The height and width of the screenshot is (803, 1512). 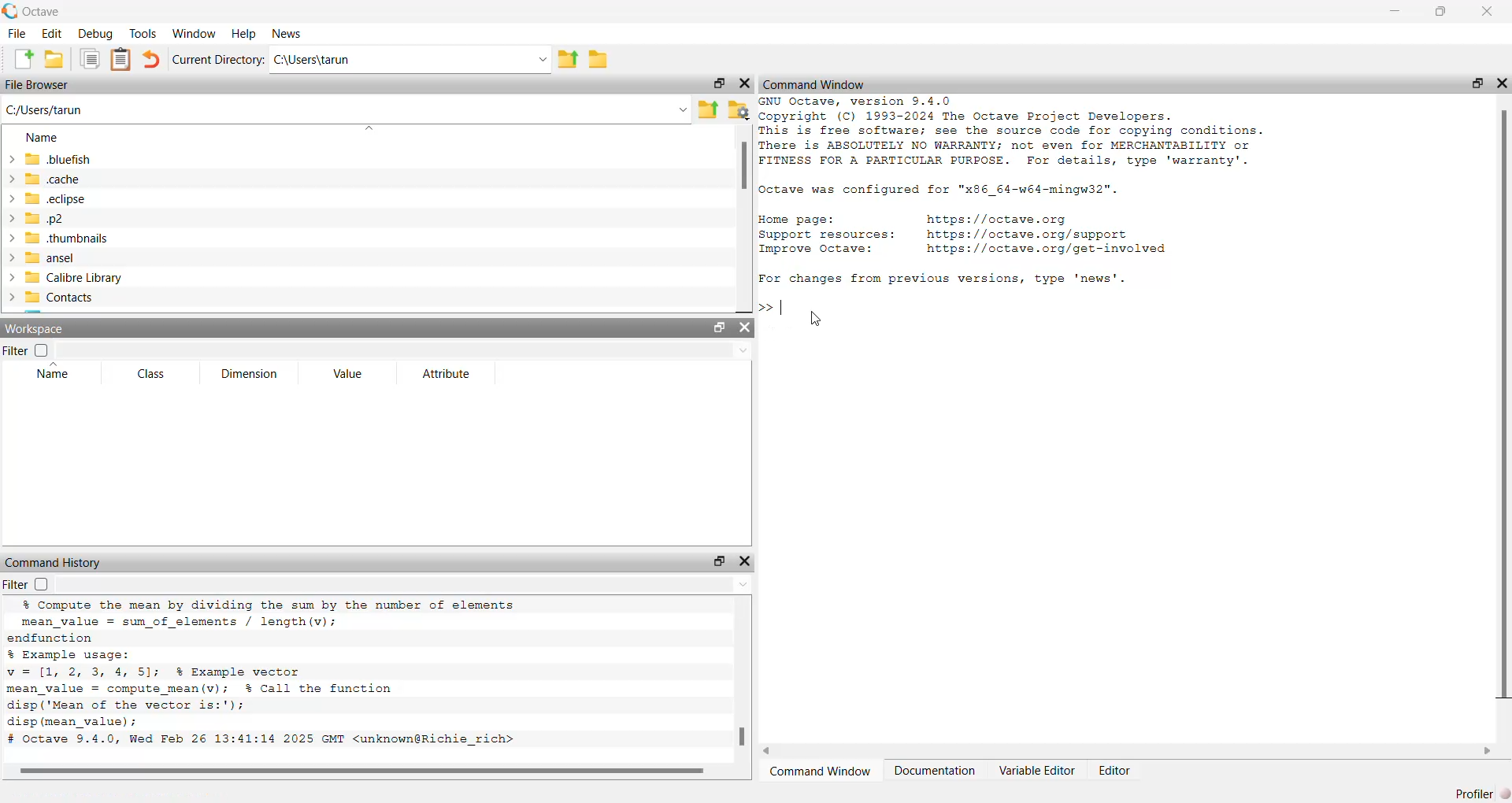 I want to click on .eclipse, so click(x=56, y=198).